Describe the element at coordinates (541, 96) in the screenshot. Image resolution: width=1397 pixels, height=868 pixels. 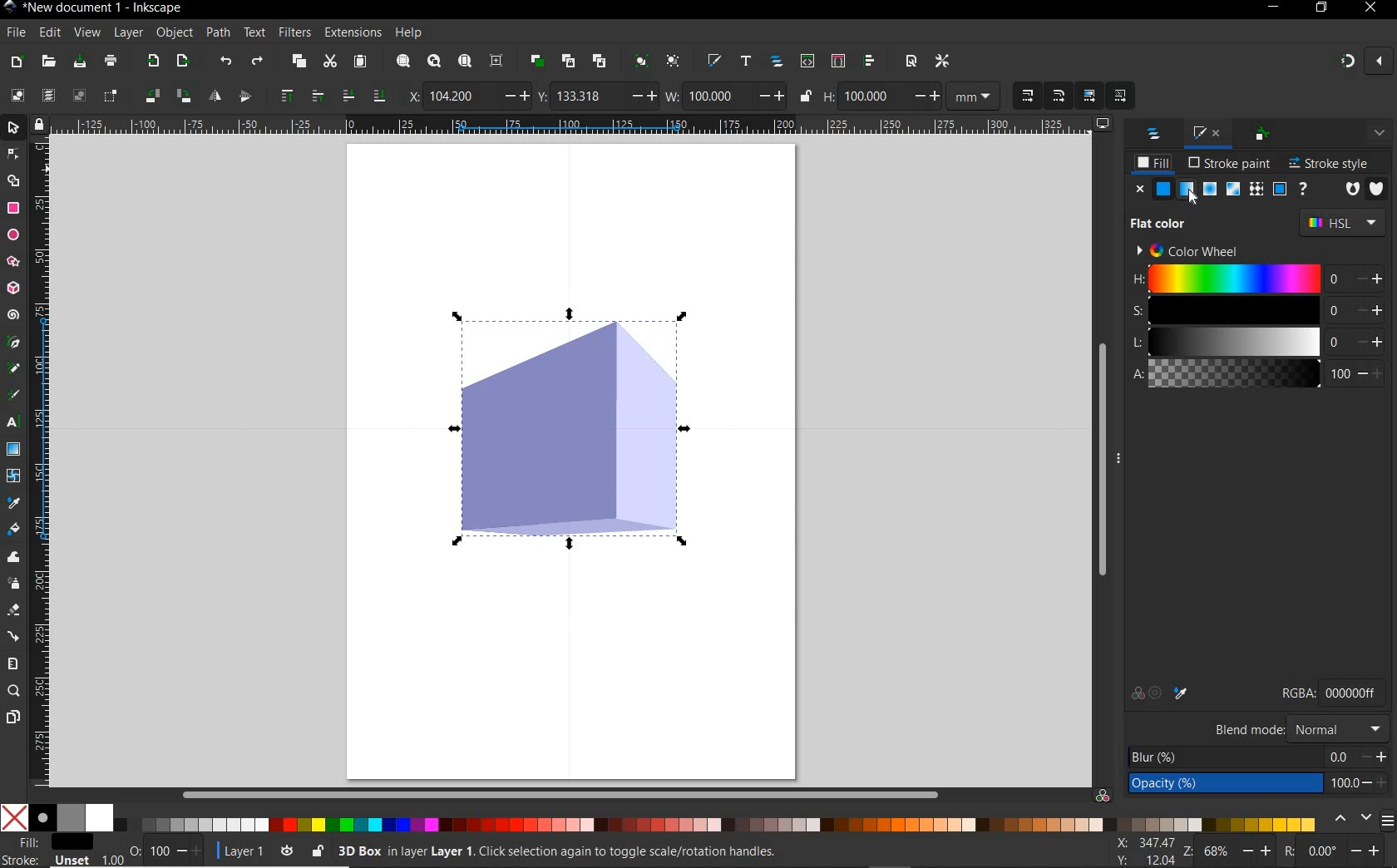
I see `VERTICAL COORDINATE OF SELECTION` at that location.